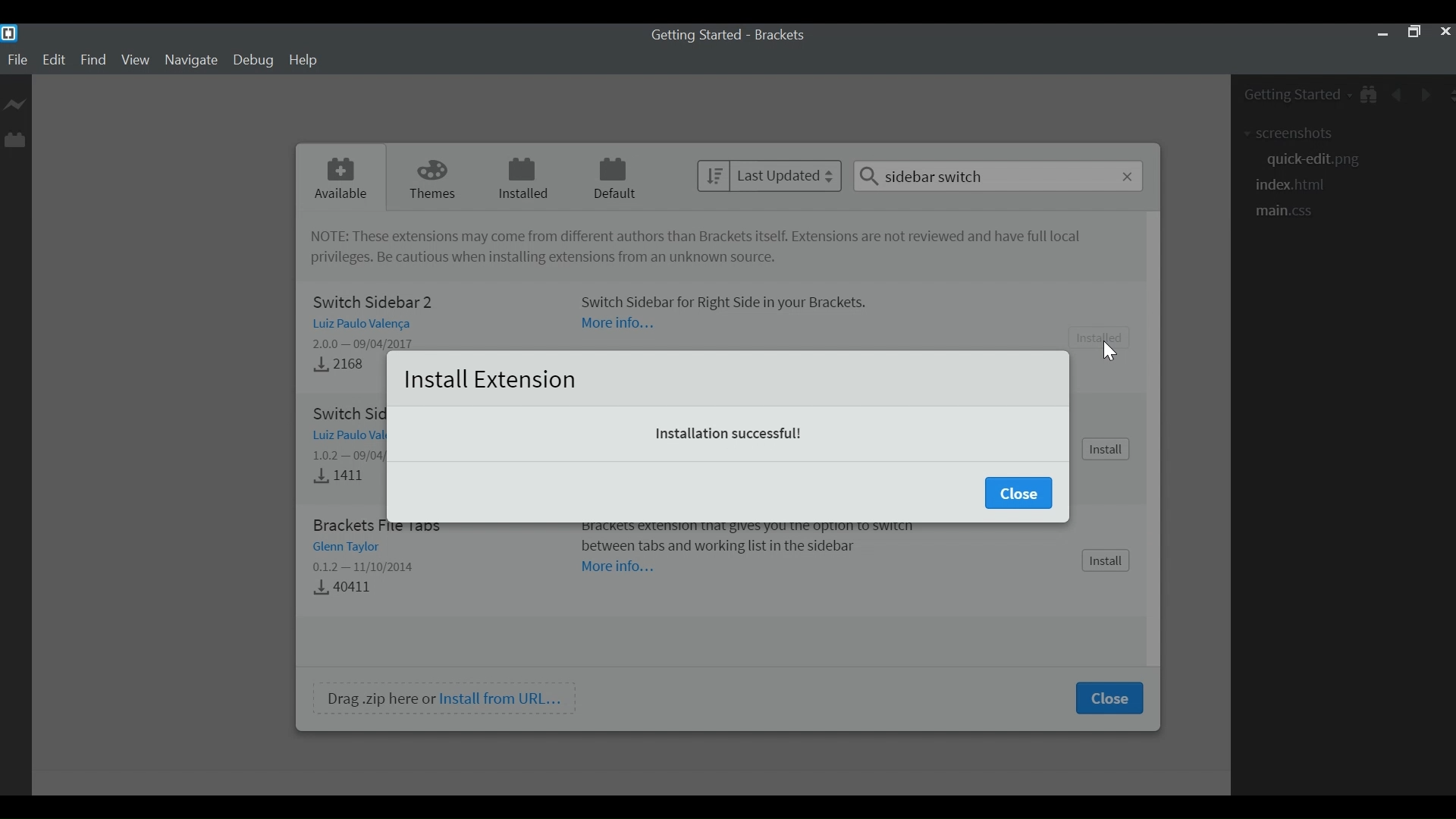 The width and height of the screenshot is (1456, 819). I want to click on Navigate, so click(193, 61).